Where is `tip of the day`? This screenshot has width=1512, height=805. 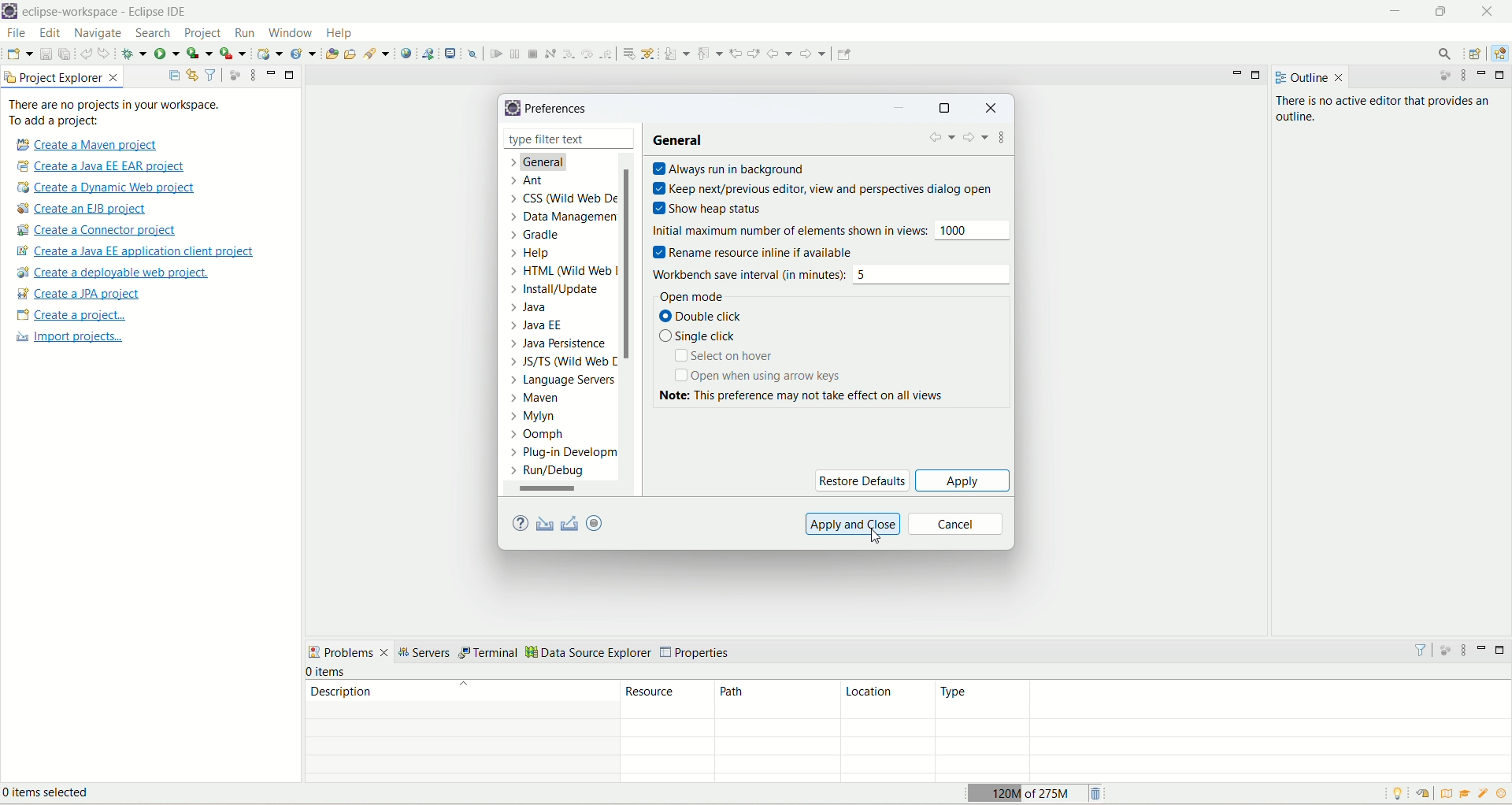
tip of the day is located at coordinates (1401, 793).